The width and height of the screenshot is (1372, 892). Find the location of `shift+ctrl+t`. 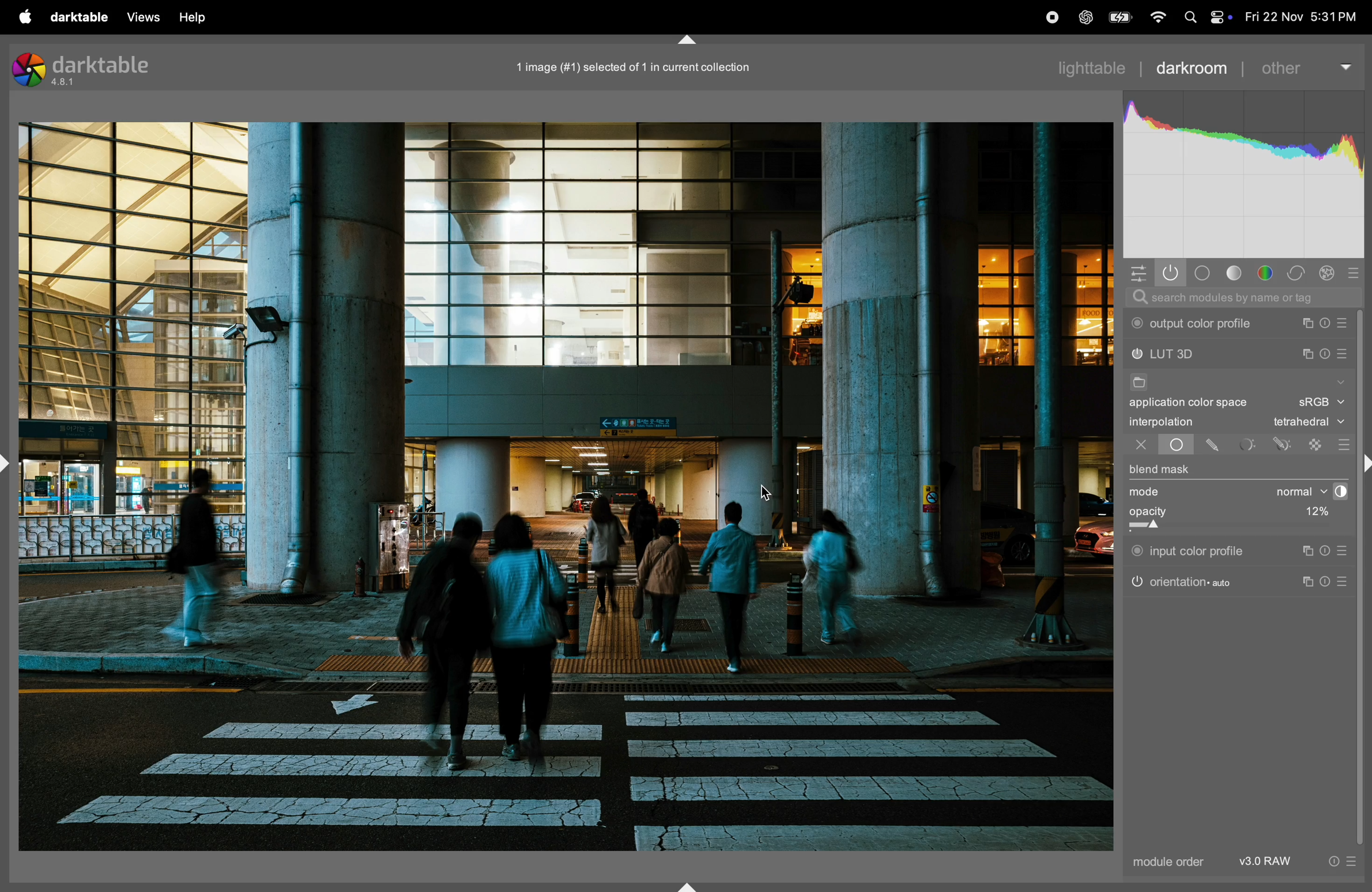

shift+ctrl+t is located at coordinates (685, 40).